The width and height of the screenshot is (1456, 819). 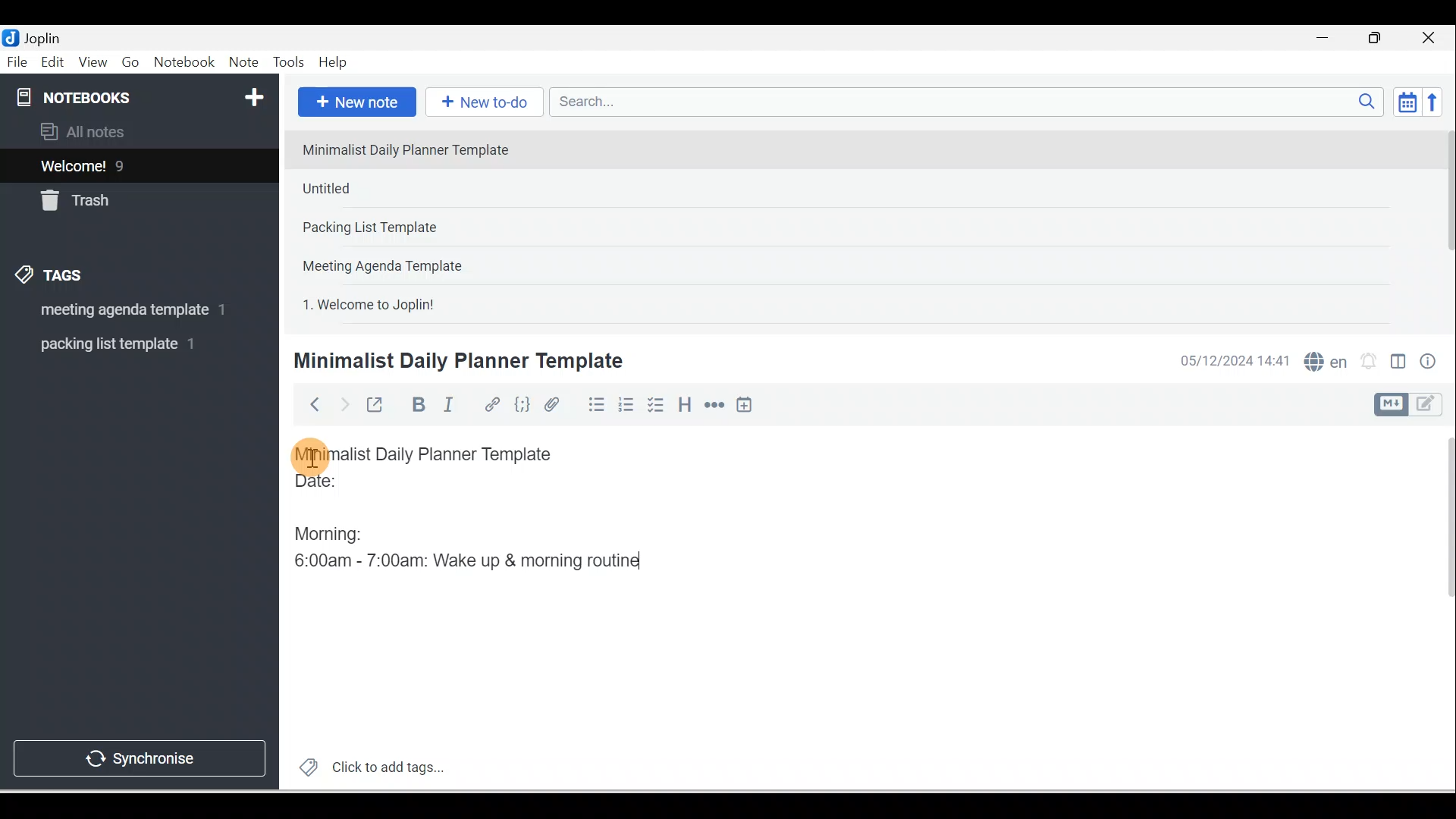 I want to click on Notes, so click(x=128, y=162).